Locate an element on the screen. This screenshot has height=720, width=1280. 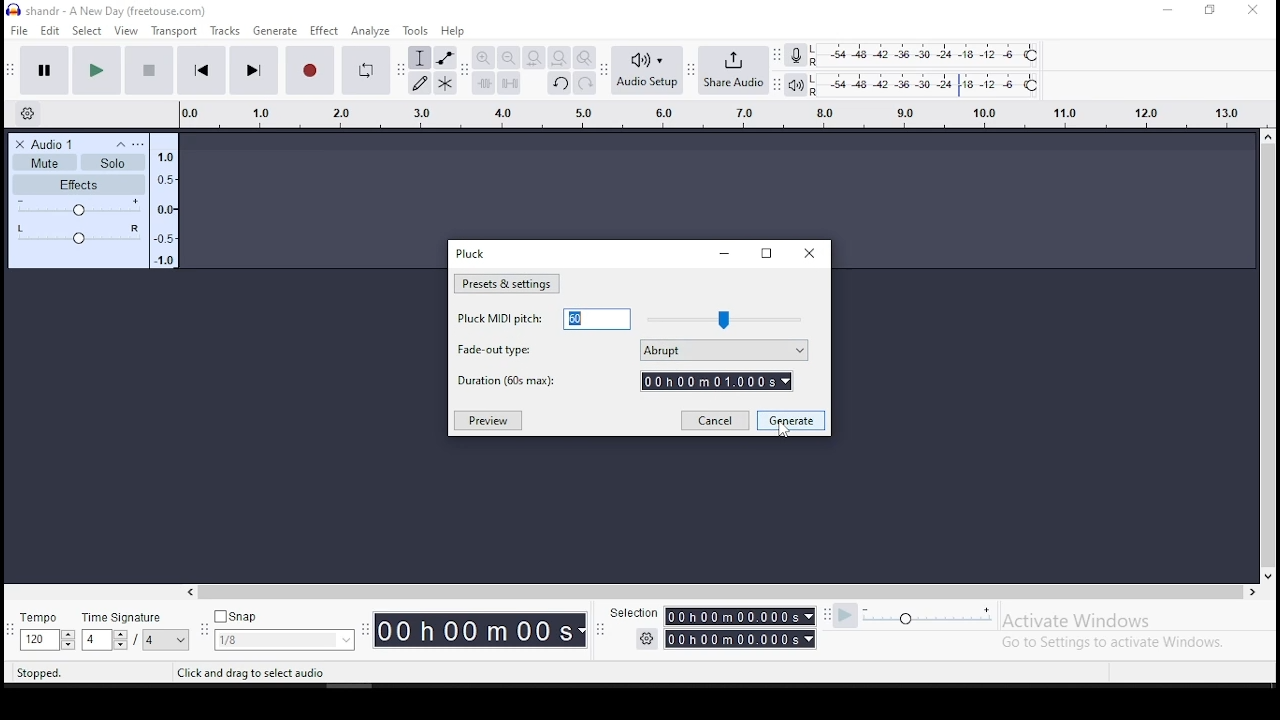
scroll bar is located at coordinates (721, 592).